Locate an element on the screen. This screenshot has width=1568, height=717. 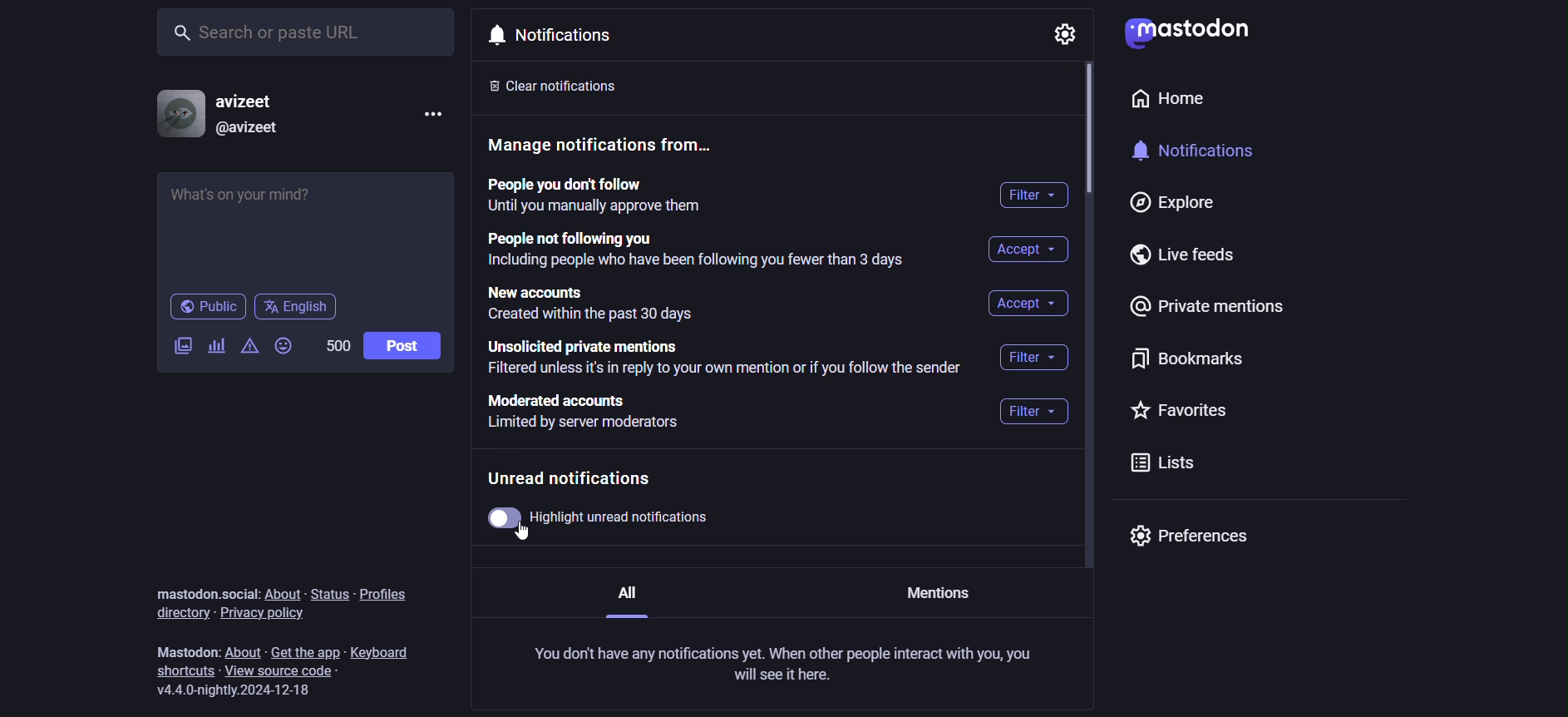
highlight unread notification is located at coordinates (597, 522).